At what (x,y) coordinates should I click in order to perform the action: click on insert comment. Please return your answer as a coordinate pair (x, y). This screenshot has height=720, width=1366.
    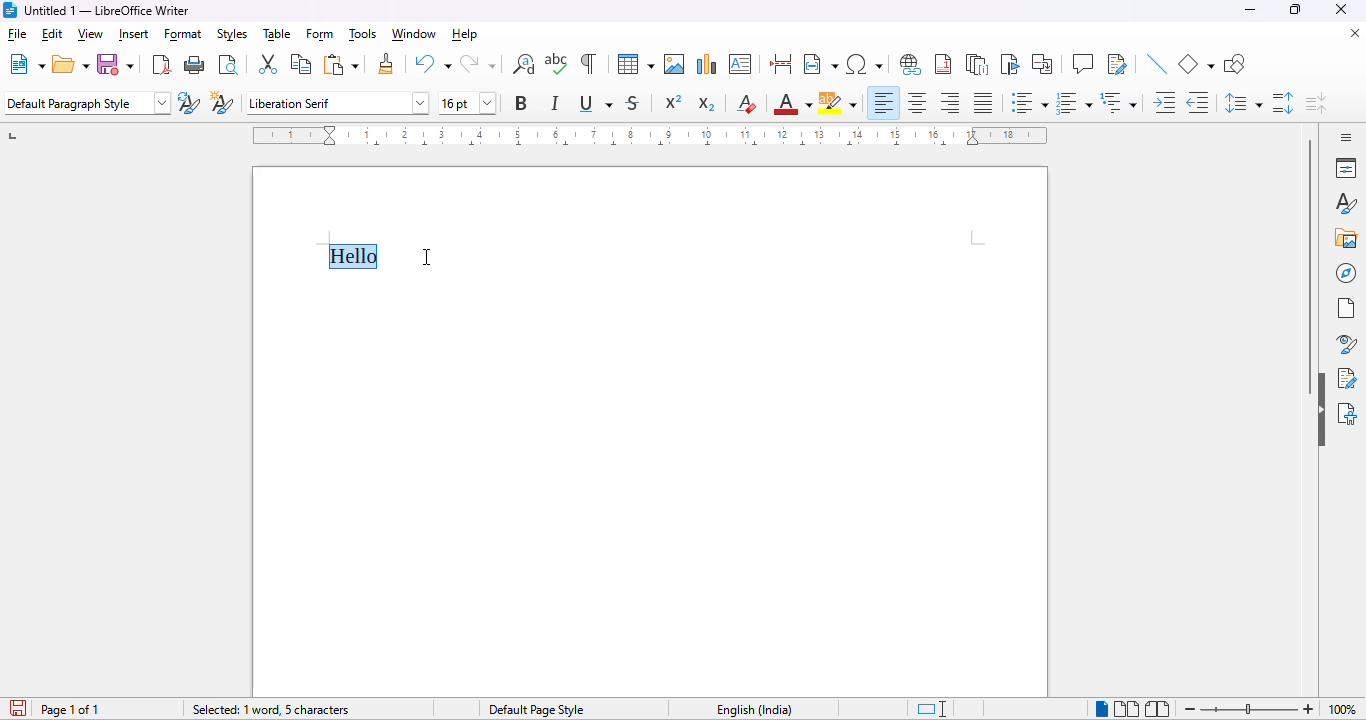
    Looking at the image, I should click on (1083, 63).